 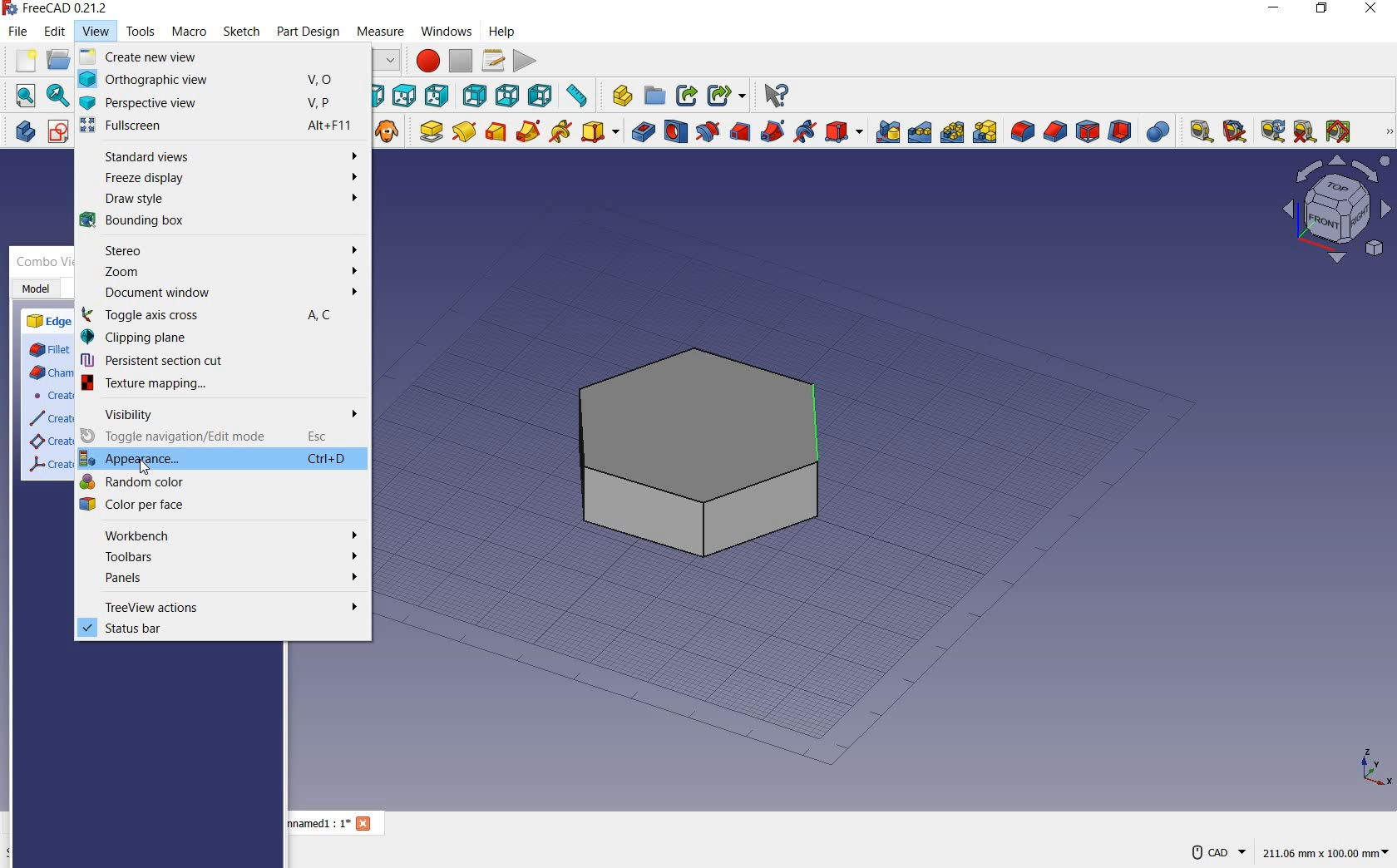 What do you see at coordinates (42, 262) in the screenshot?
I see `combo view` at bounding box center [42, 262].